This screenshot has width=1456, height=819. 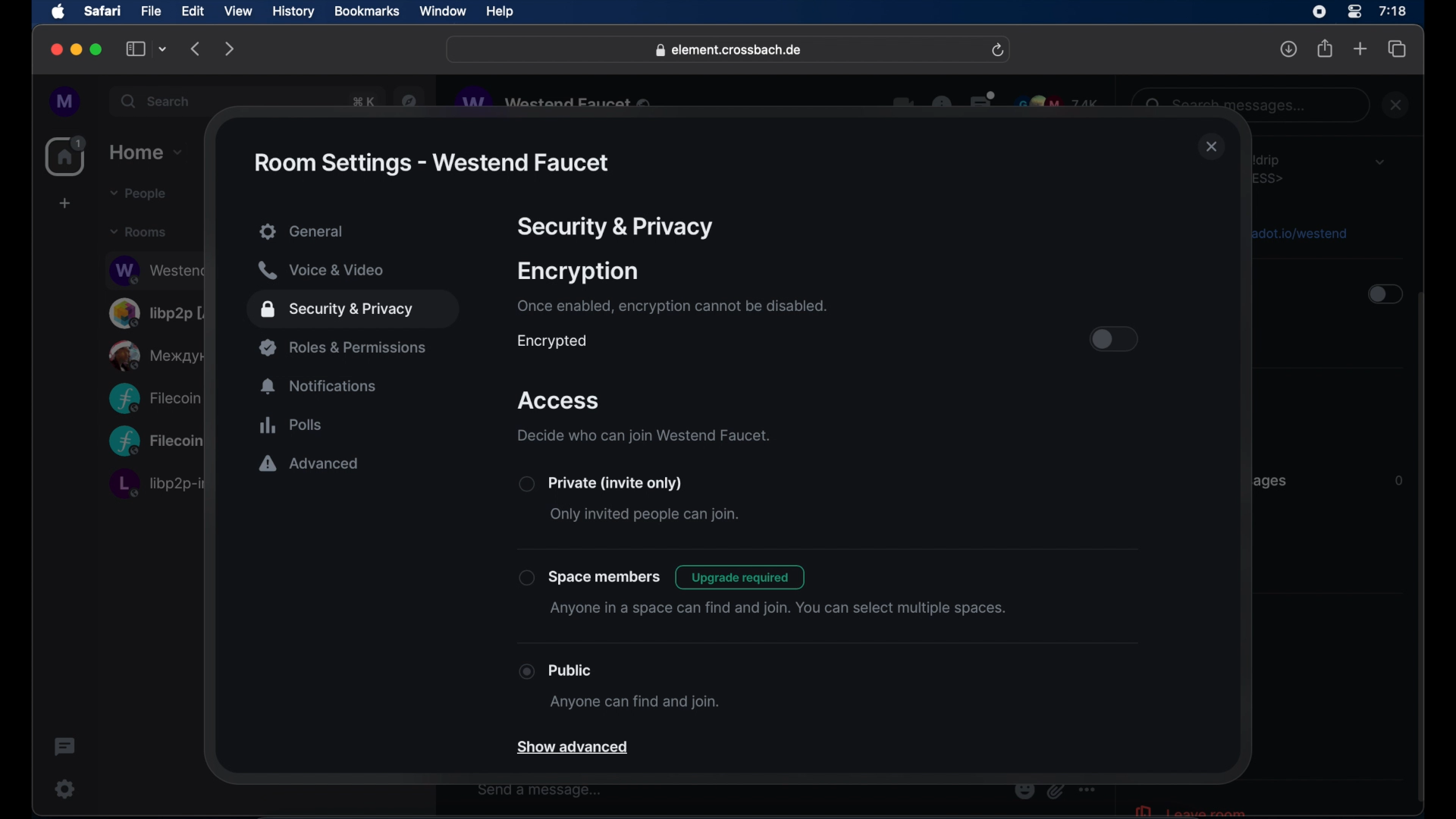 I want to click on obscure, so click(x=1298, y=232).